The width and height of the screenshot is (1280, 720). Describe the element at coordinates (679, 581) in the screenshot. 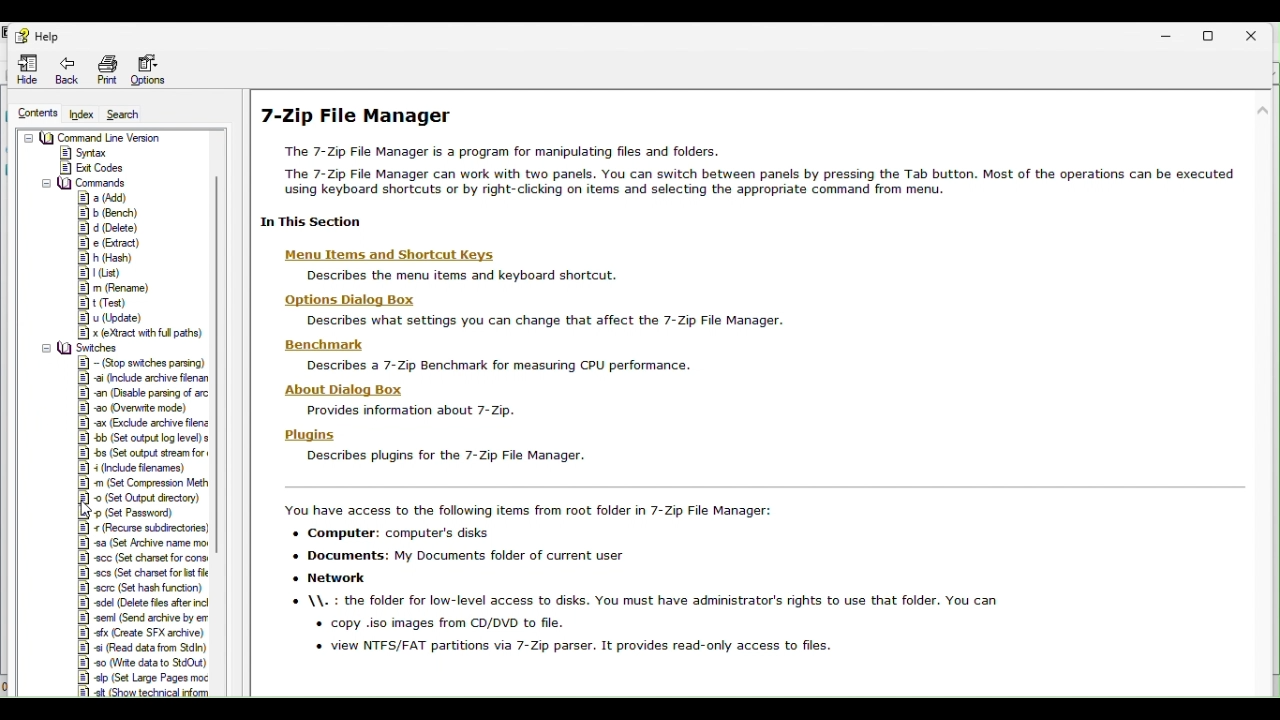

I see `accessible items in 7 zip fle manager` at that location.